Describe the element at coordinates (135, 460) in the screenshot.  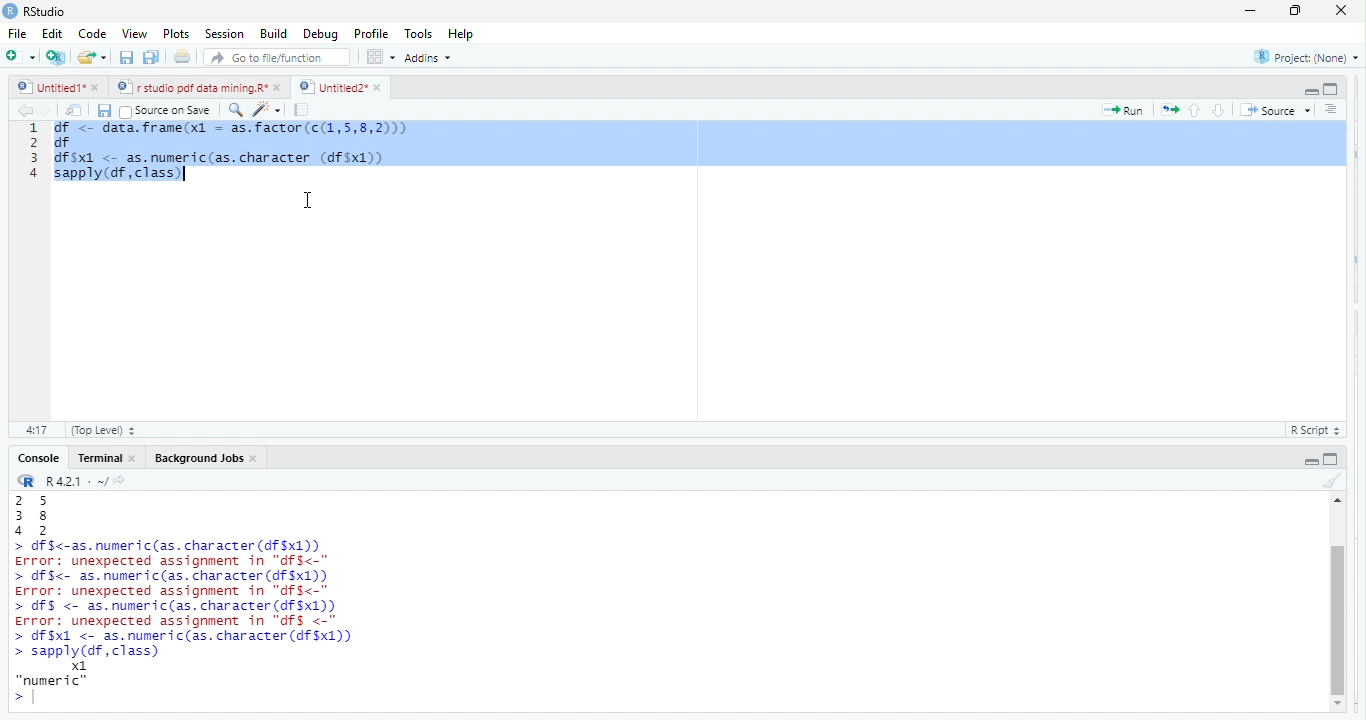
I see `close` at that location.